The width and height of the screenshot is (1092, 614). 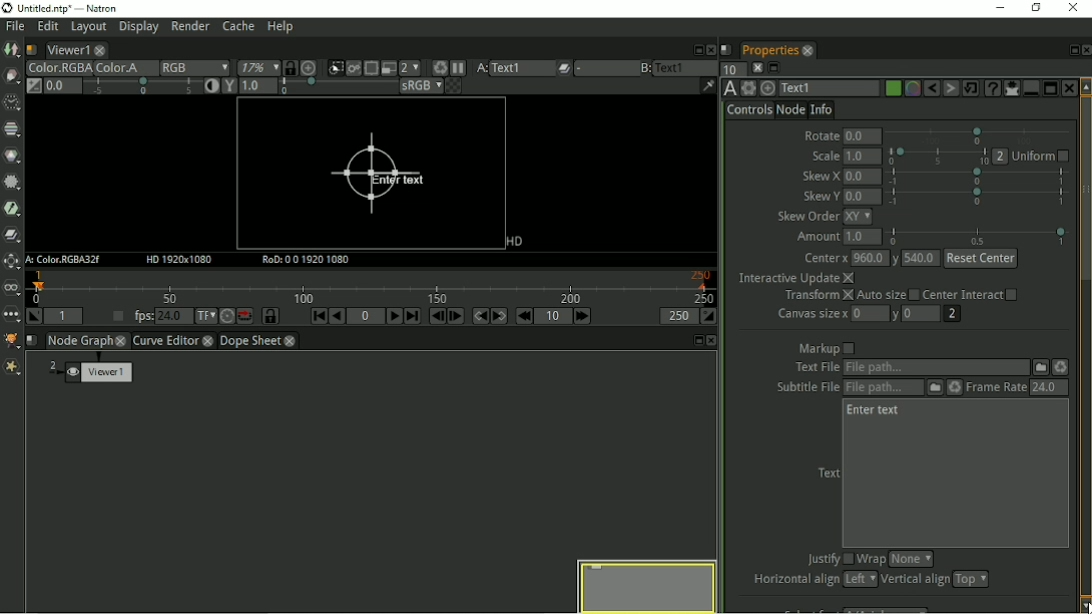 What do you see at coordinates (459, 68) in the screenshot?
I see `Pause updates` at bounding box center [459, 68].